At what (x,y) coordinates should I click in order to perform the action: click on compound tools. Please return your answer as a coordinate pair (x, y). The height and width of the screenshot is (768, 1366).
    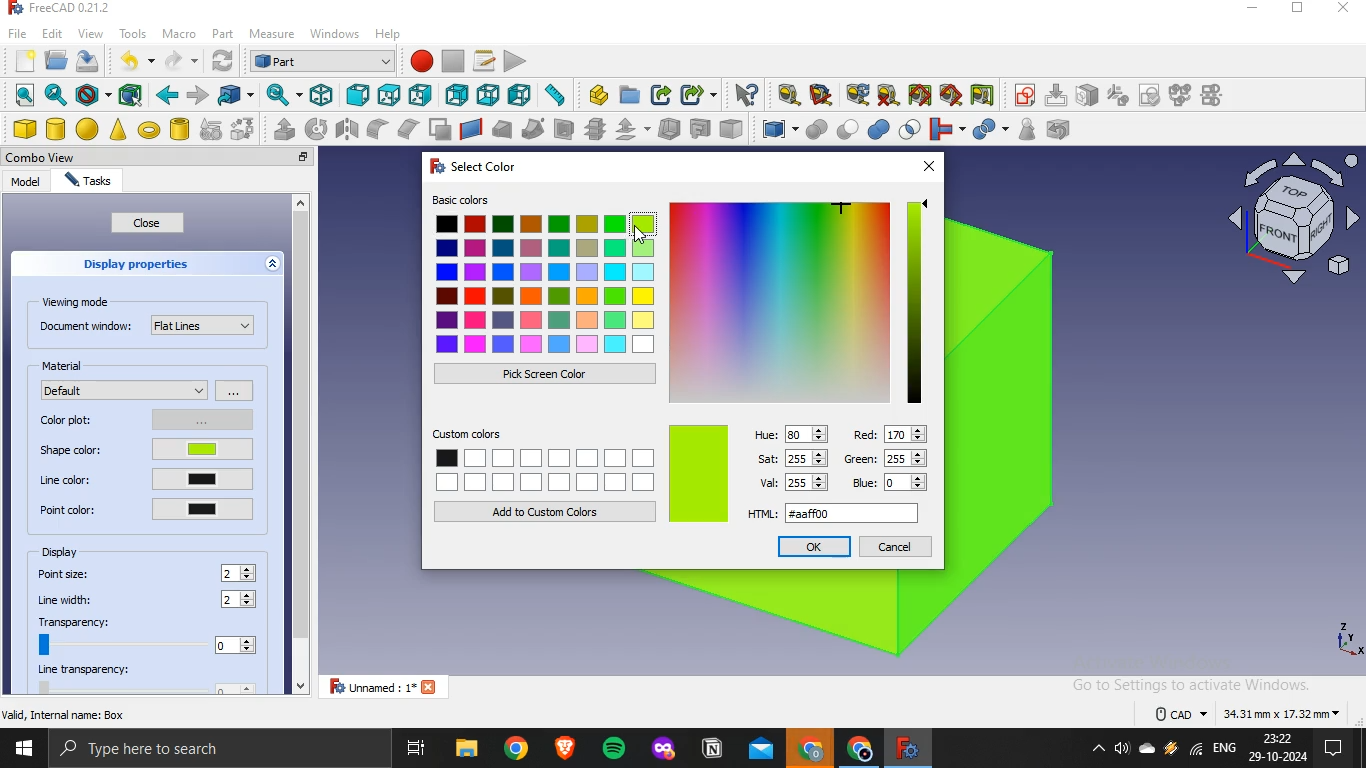
    Looking at the image, I should click on (771, 130).